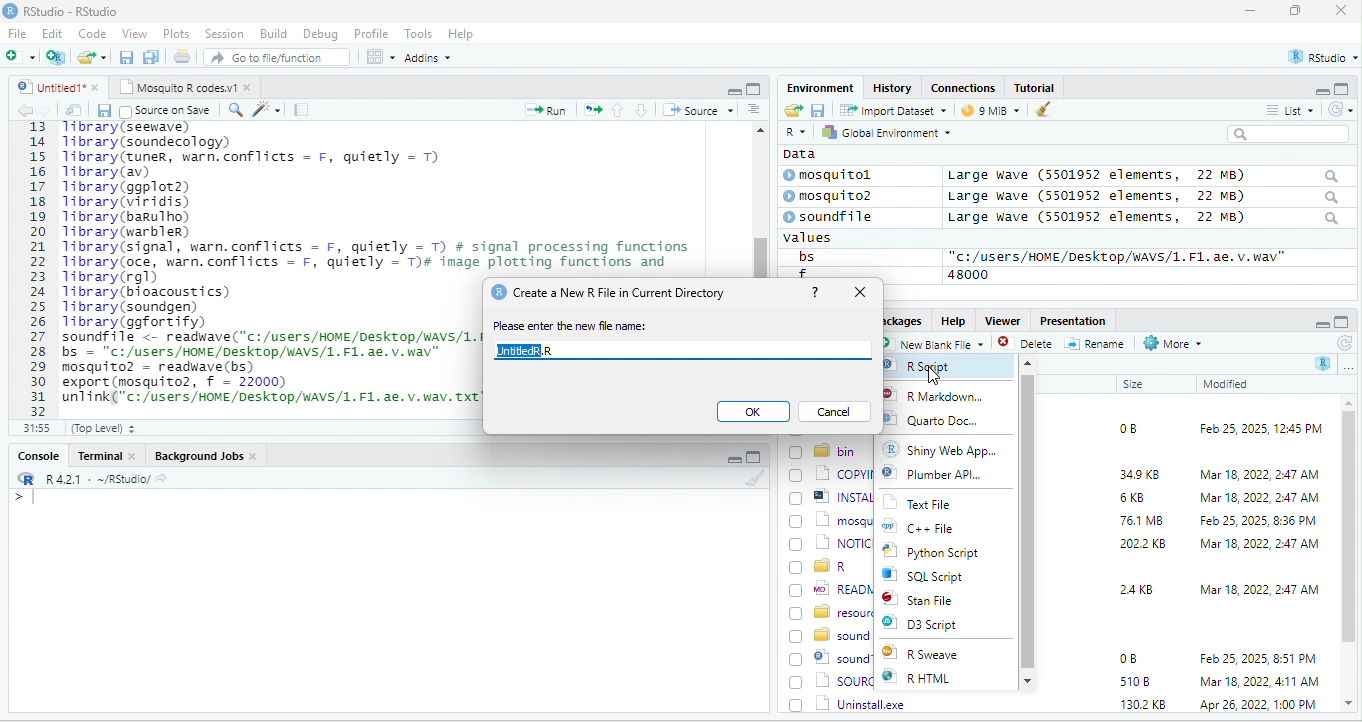 This screenshot has width=1362, height=722. What do you see at coordinates (1141, 519) in the screenshot?
I see `76.1 MB` at bounding box center [1141, 519].